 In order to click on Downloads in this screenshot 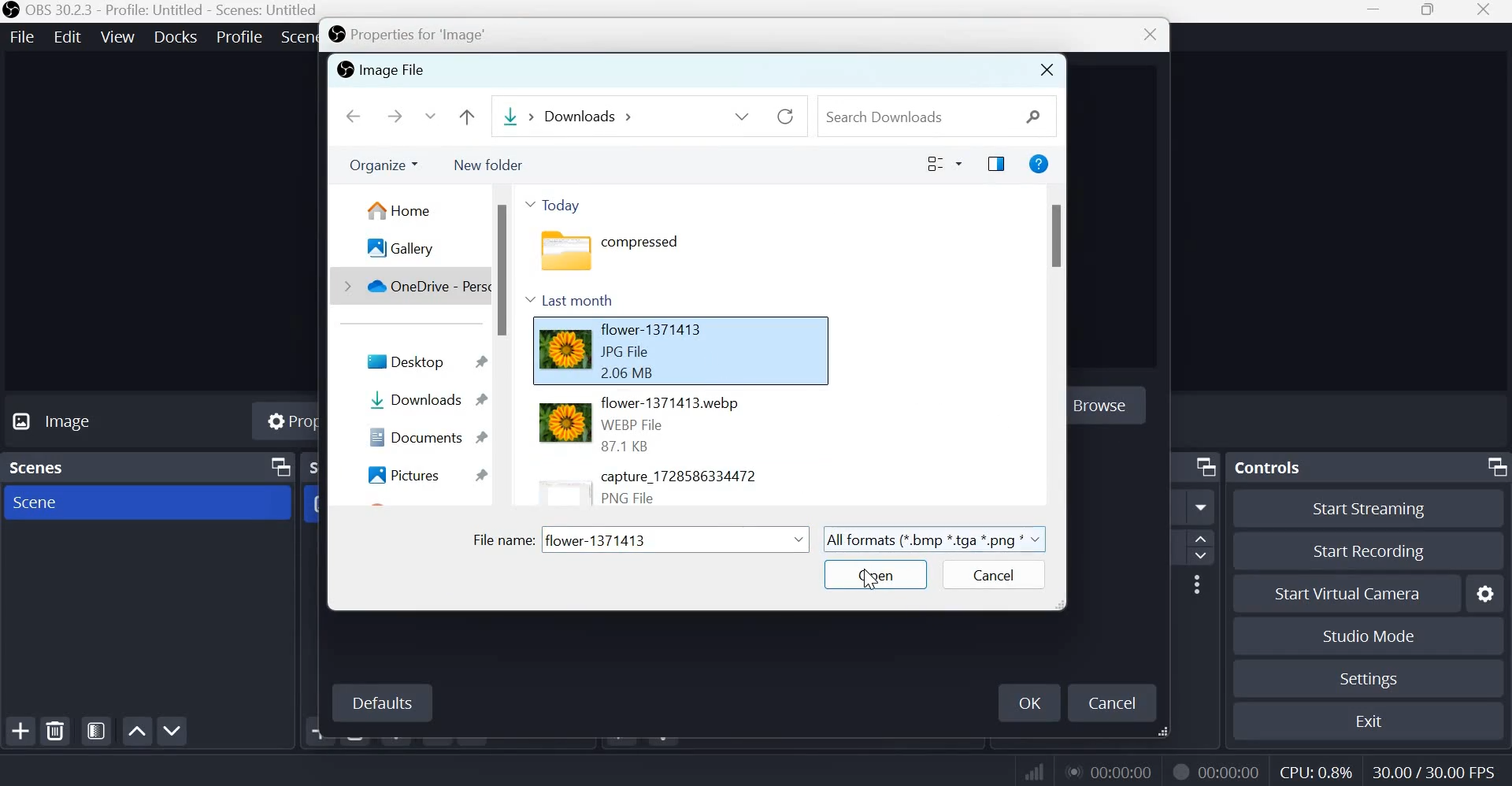, I will do `click(591, 117)`.